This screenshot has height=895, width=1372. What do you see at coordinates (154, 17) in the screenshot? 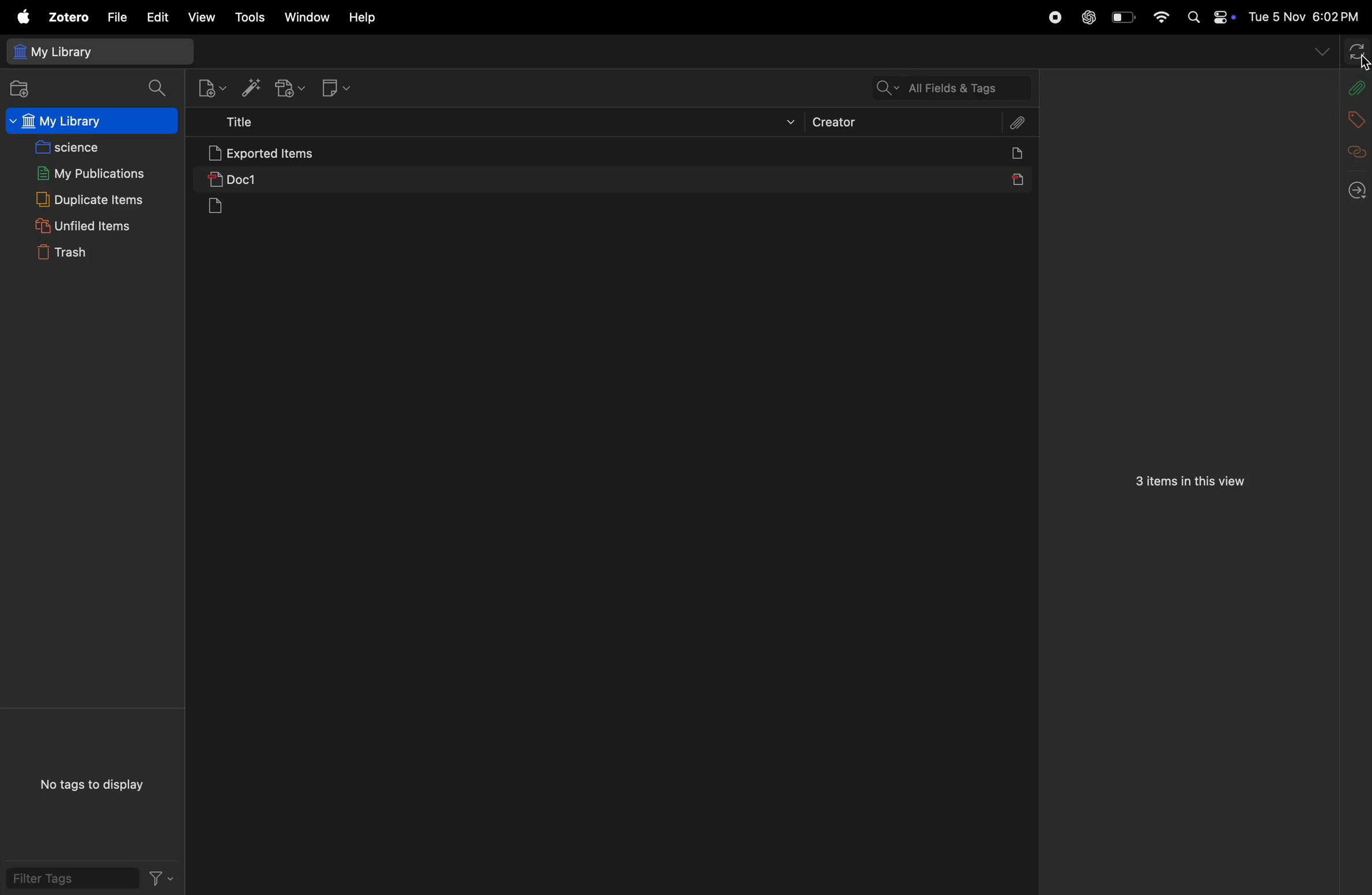
I see `edit` at bounding box center [154, 17].